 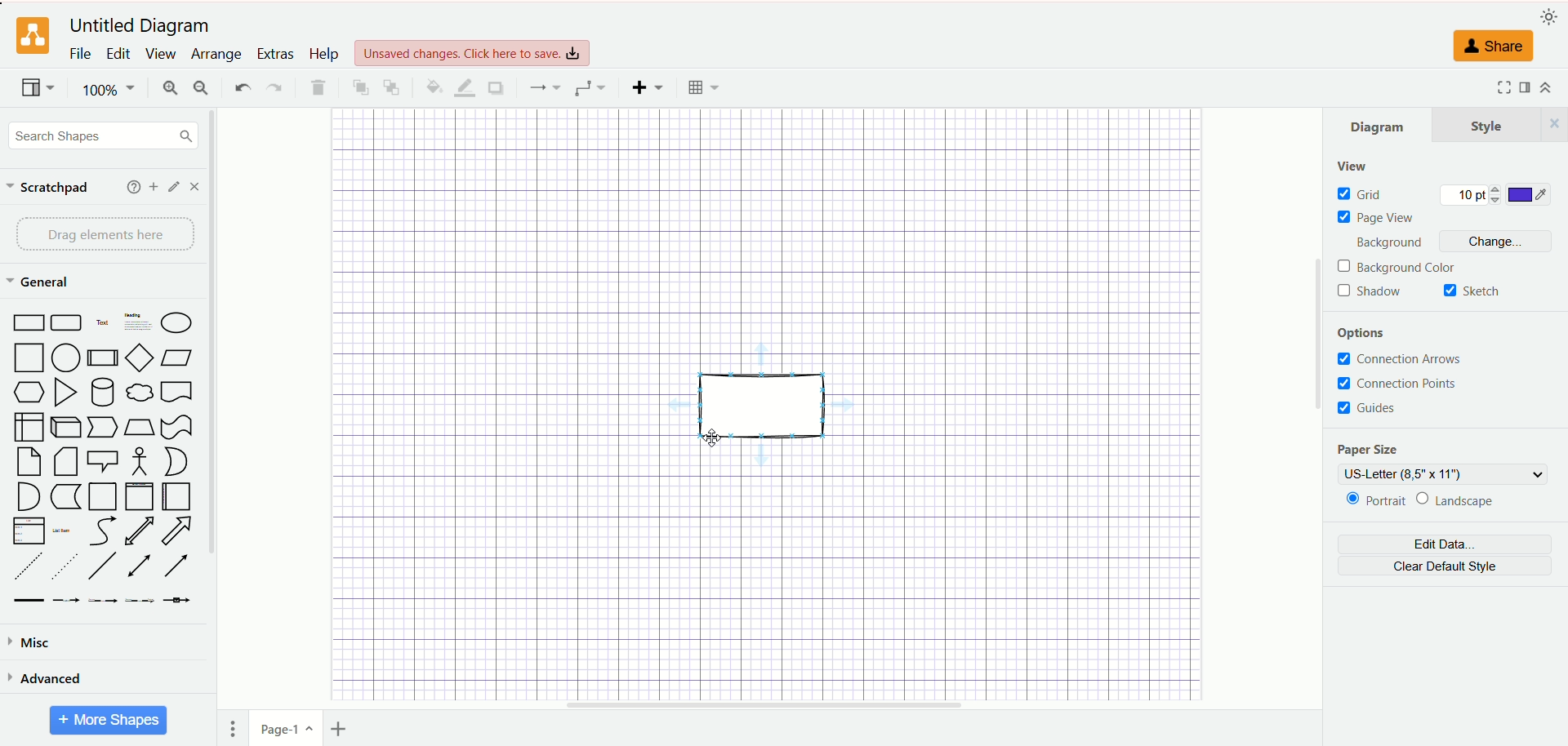 What do you see at coordinates (1547, 89) in the screenshot?
I see `expand/collapse` at bounding box center [1547, 89].